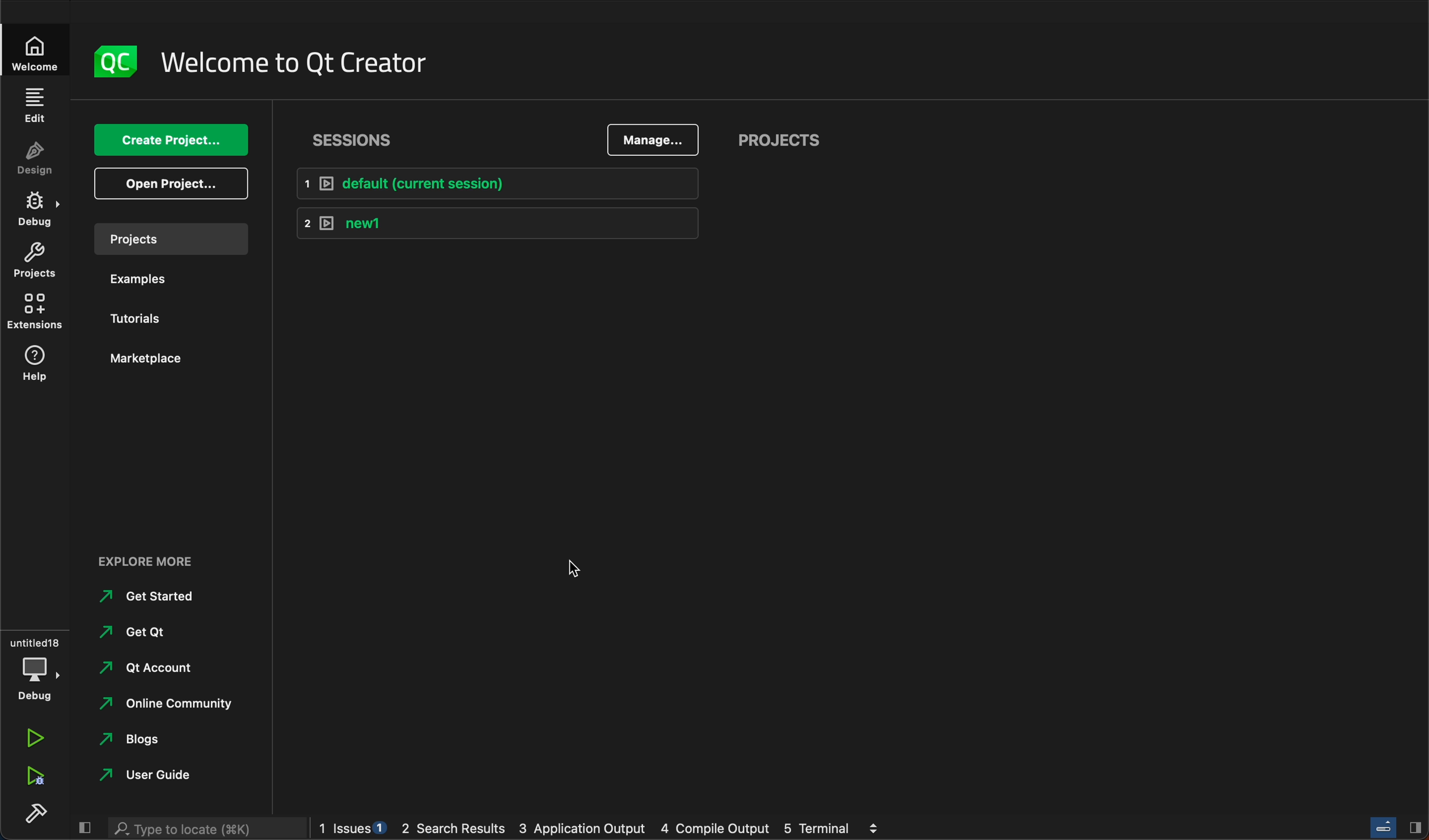  Describe the element at coordinates (37, 367) in the screenshot. I see `help` at that location.